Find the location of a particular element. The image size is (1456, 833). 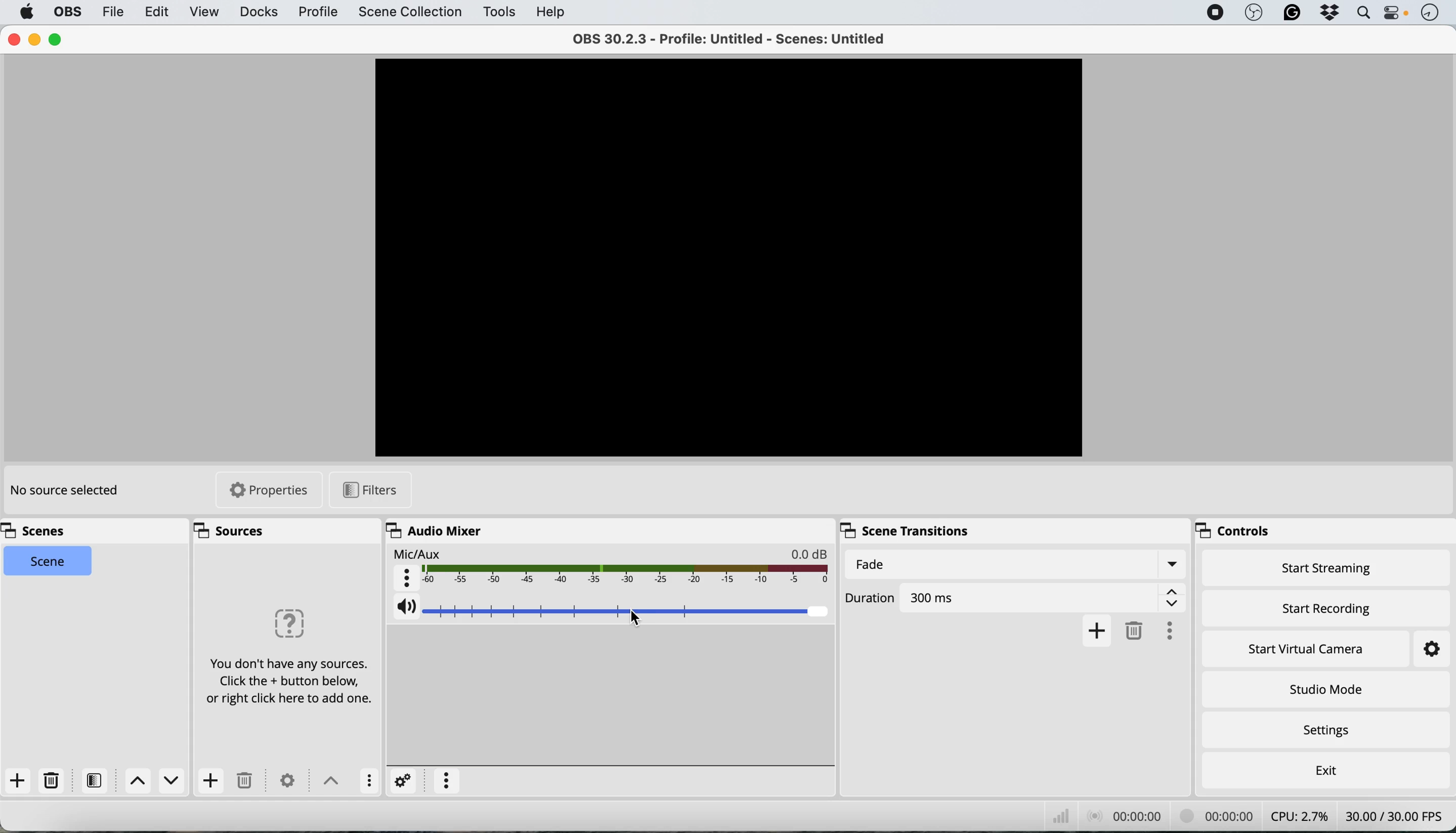

close is located at coordinates (13, 39).